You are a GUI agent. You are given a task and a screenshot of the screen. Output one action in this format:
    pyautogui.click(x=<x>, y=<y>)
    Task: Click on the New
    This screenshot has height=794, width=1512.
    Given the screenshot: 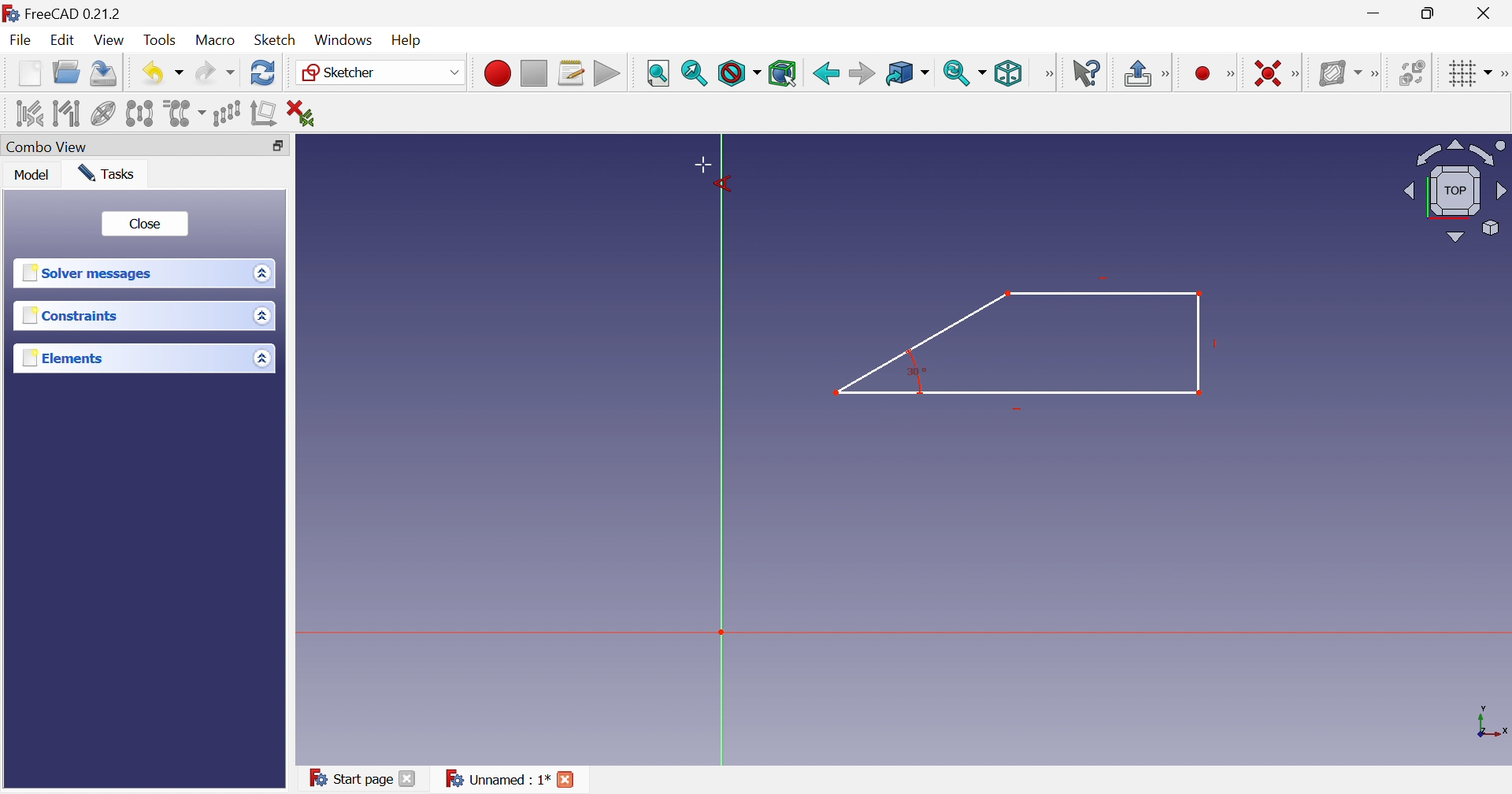 What is the action you would take?
    pyautogui.click(x=29, y=77)
    